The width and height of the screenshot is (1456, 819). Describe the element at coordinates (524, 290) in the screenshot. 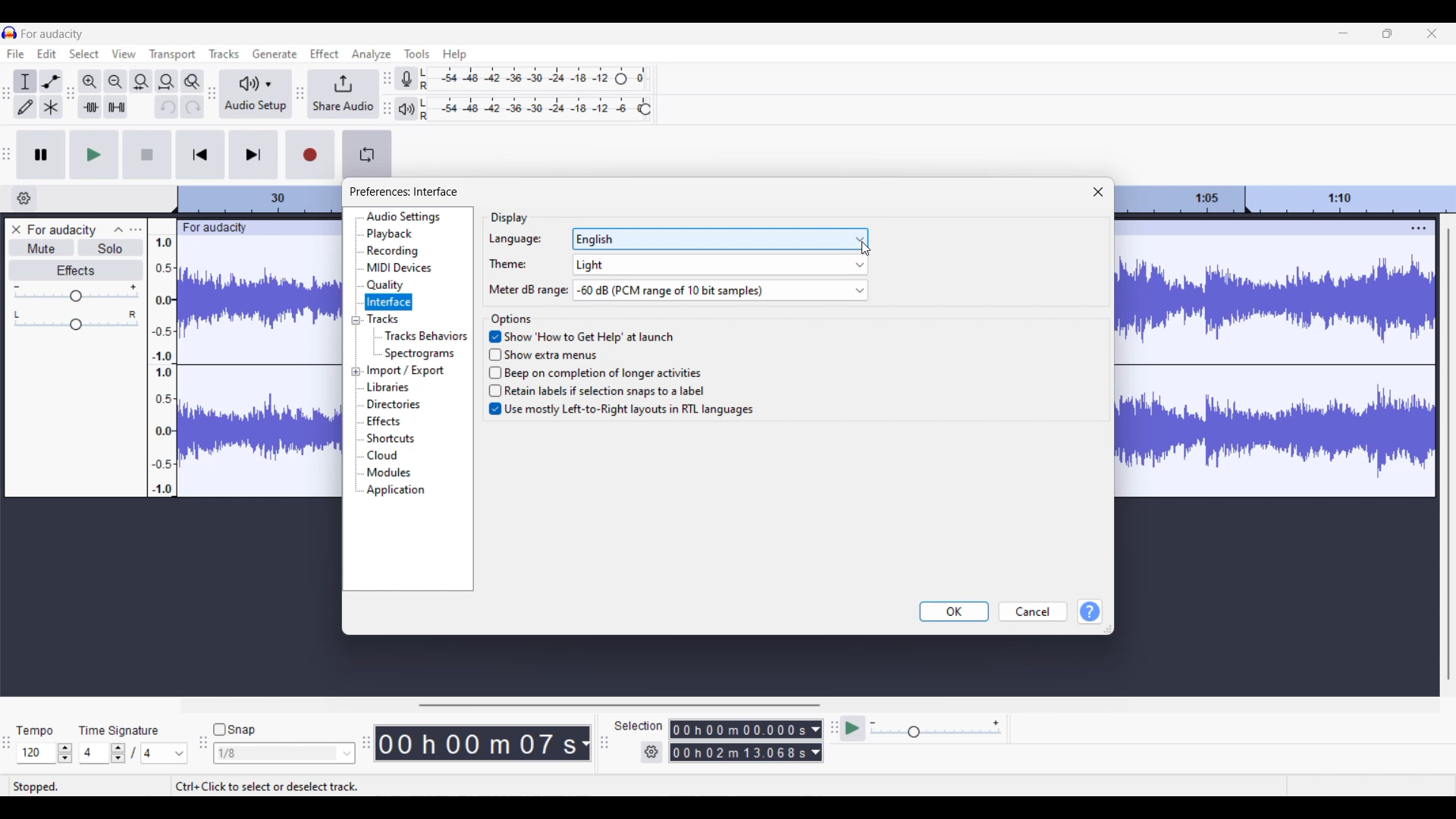

I see `Meter dB range` at that location.